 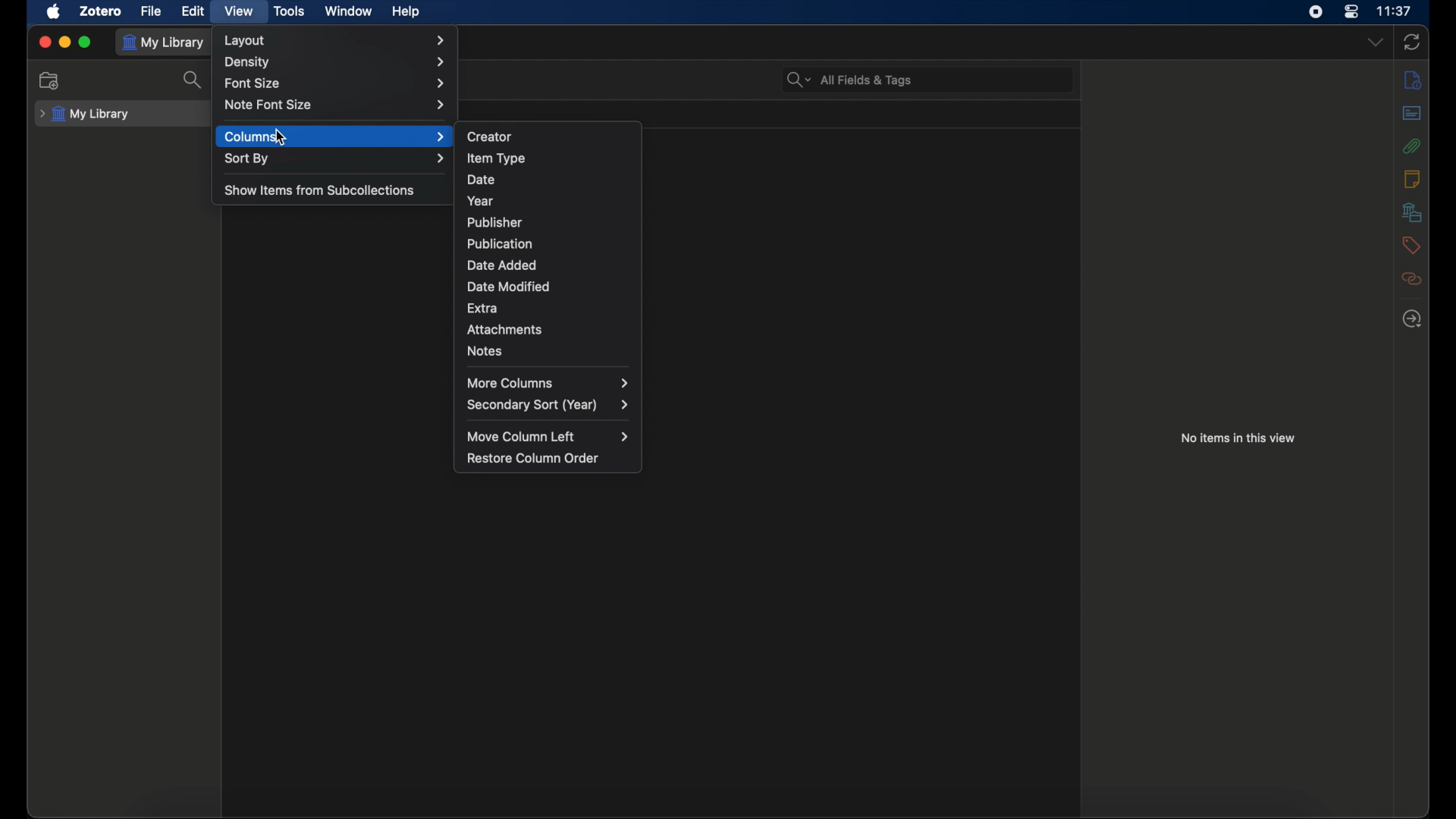 I want to click on time, so click(x=1396, y=11).